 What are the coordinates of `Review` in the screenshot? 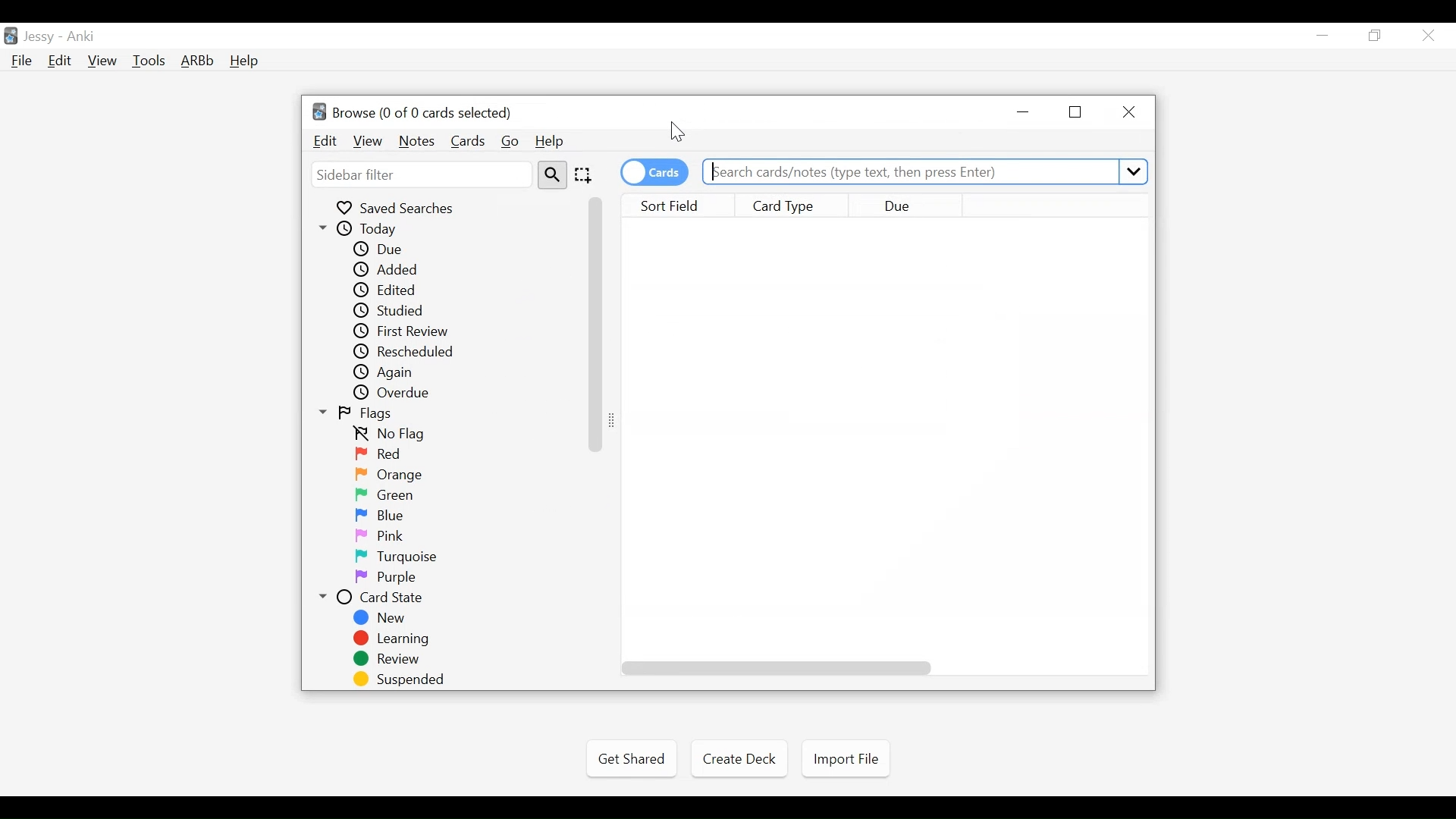 It's located at (391, 660).